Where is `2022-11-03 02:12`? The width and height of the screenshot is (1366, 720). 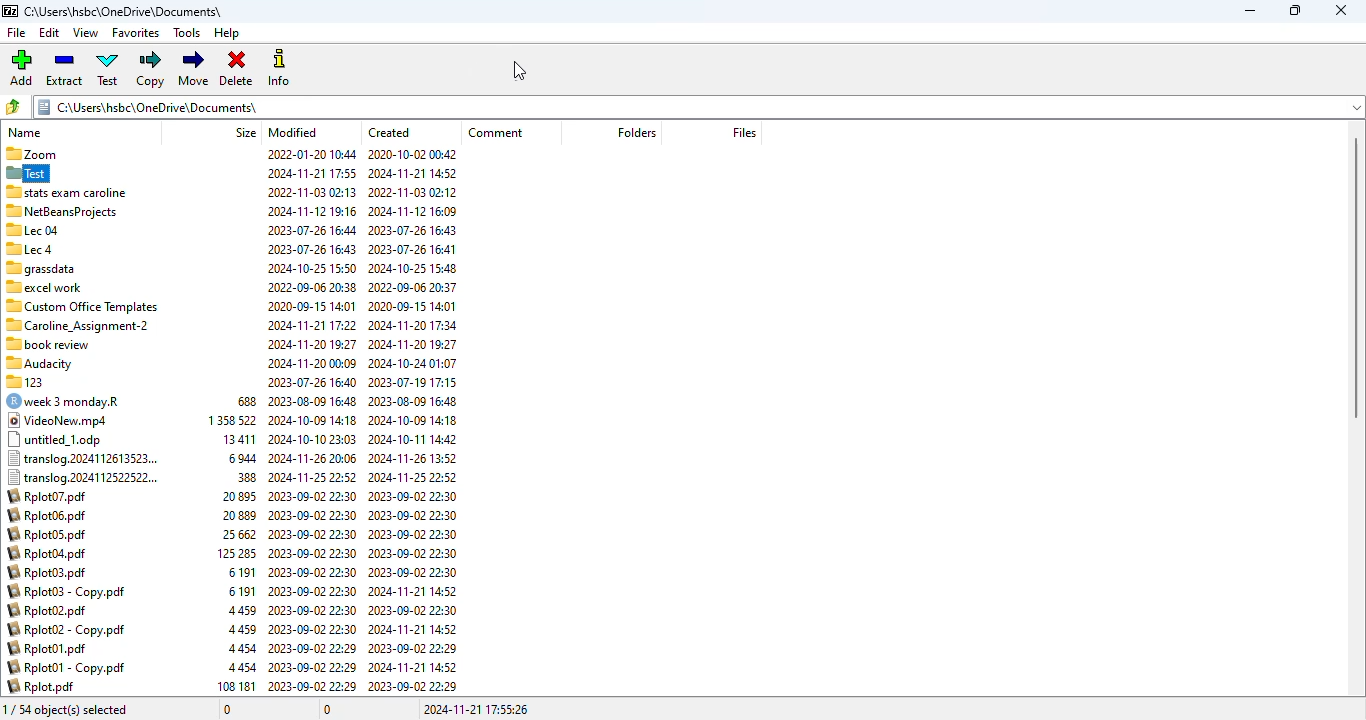
2022-11-03 02:12 is located at coordinates (414, 192).